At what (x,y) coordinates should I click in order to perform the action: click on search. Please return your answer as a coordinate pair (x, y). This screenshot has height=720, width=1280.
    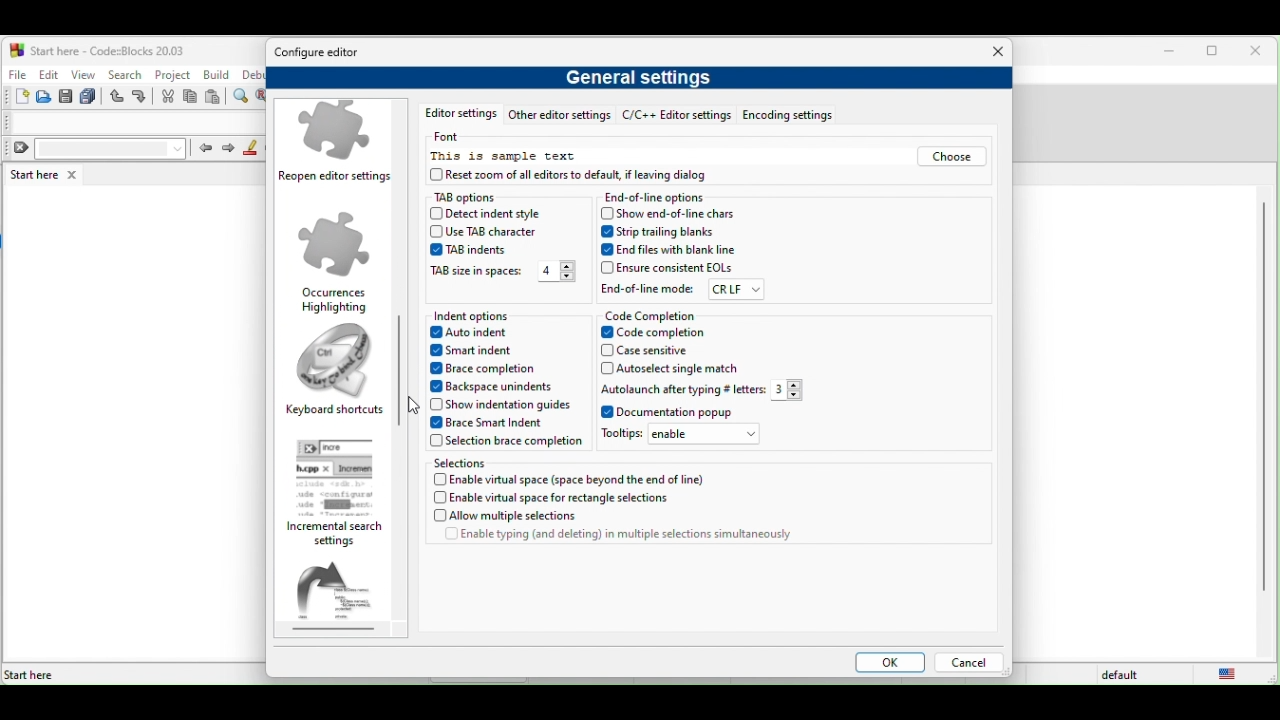
    Looking at the image, I should click on (124, 74).